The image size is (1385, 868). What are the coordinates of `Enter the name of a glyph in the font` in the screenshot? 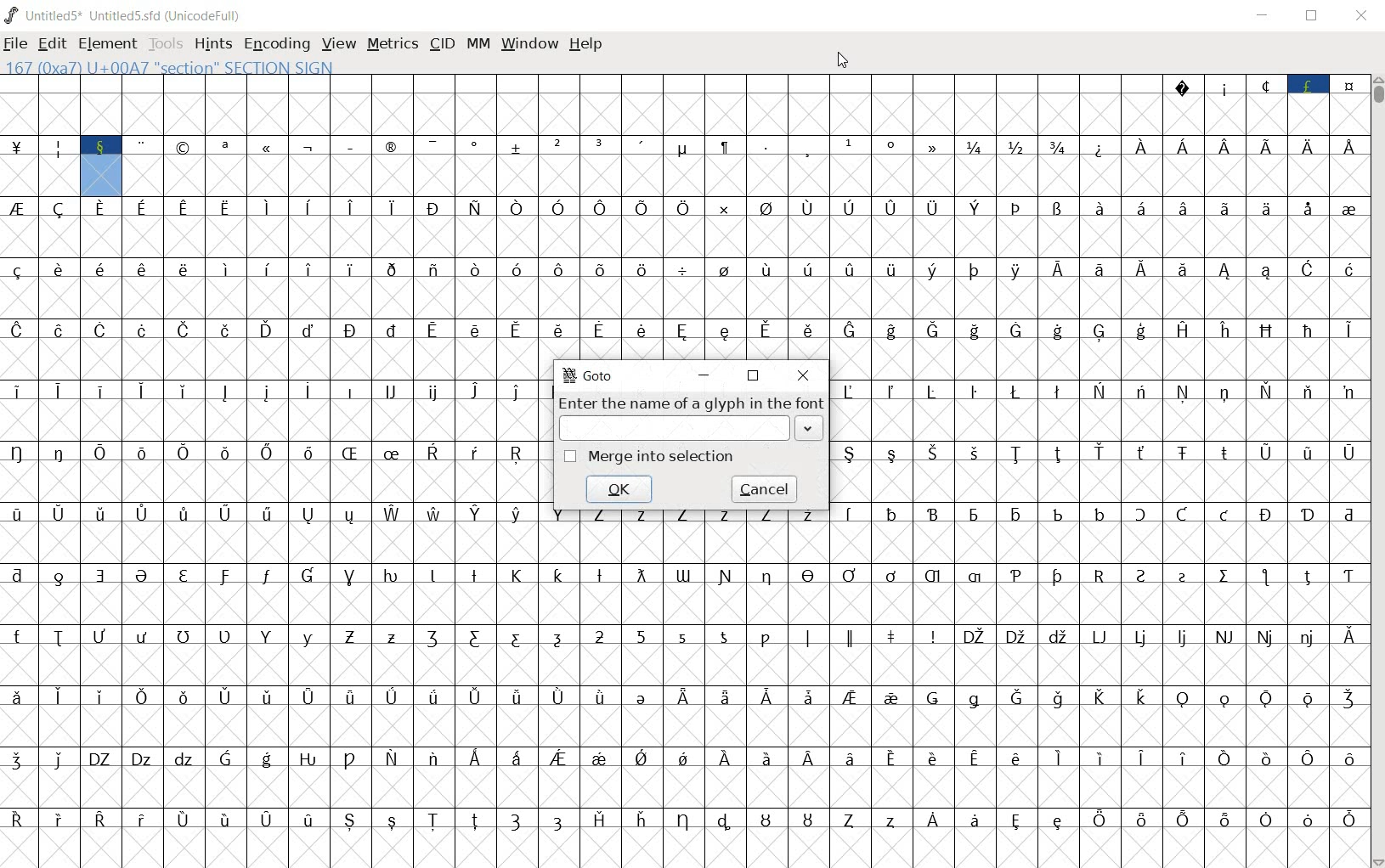 It's located at (692, 418).